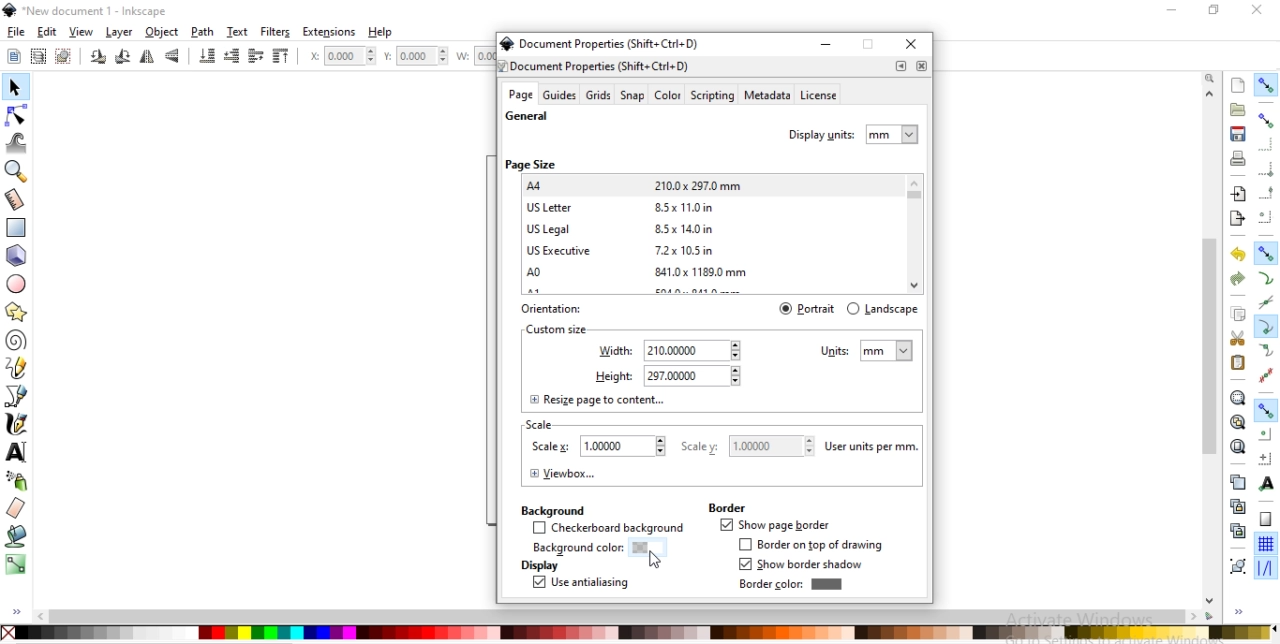  I want to click on units, so click(867, 351).